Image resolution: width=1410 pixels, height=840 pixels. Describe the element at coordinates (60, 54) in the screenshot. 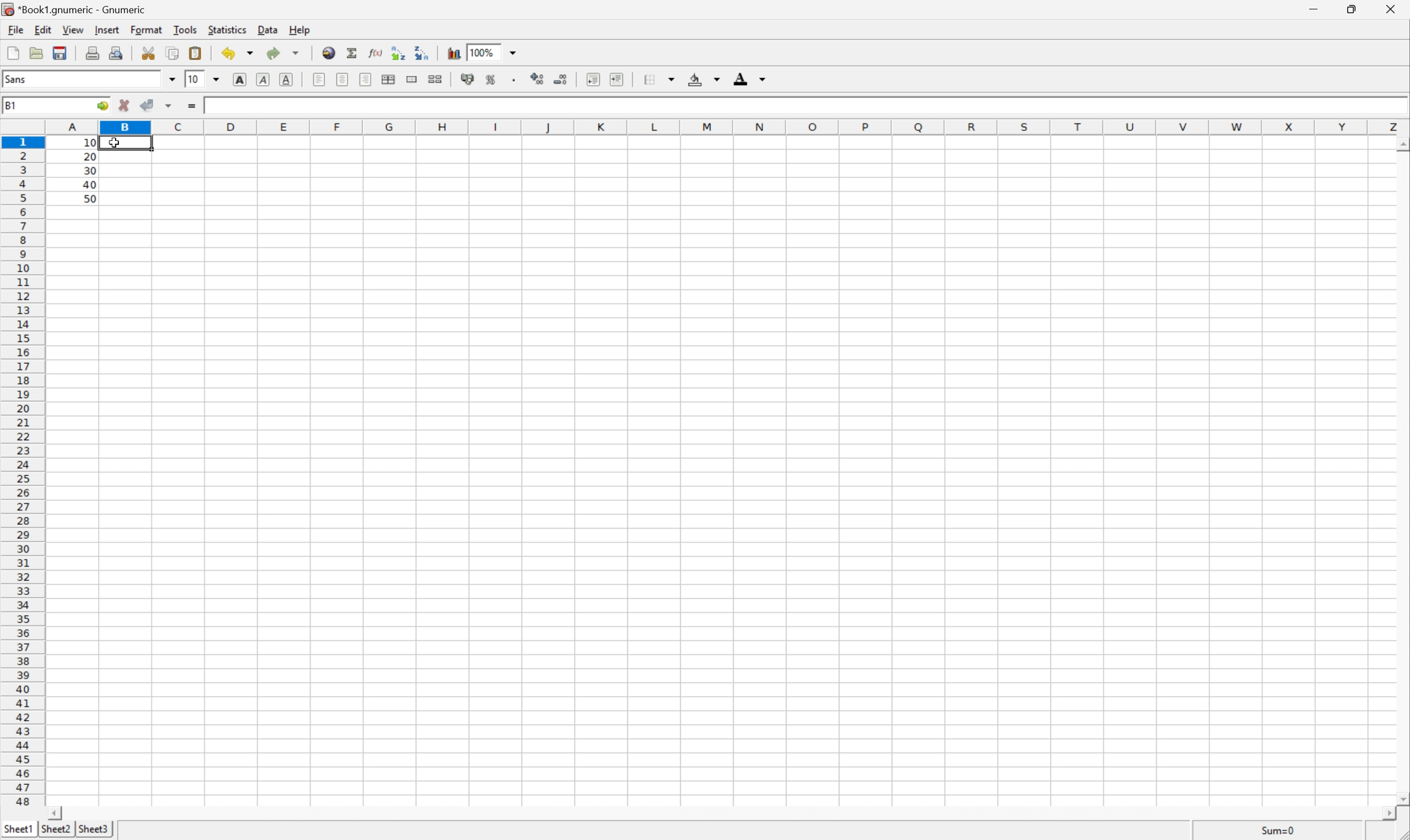

I see `Save current workbook` at that location.